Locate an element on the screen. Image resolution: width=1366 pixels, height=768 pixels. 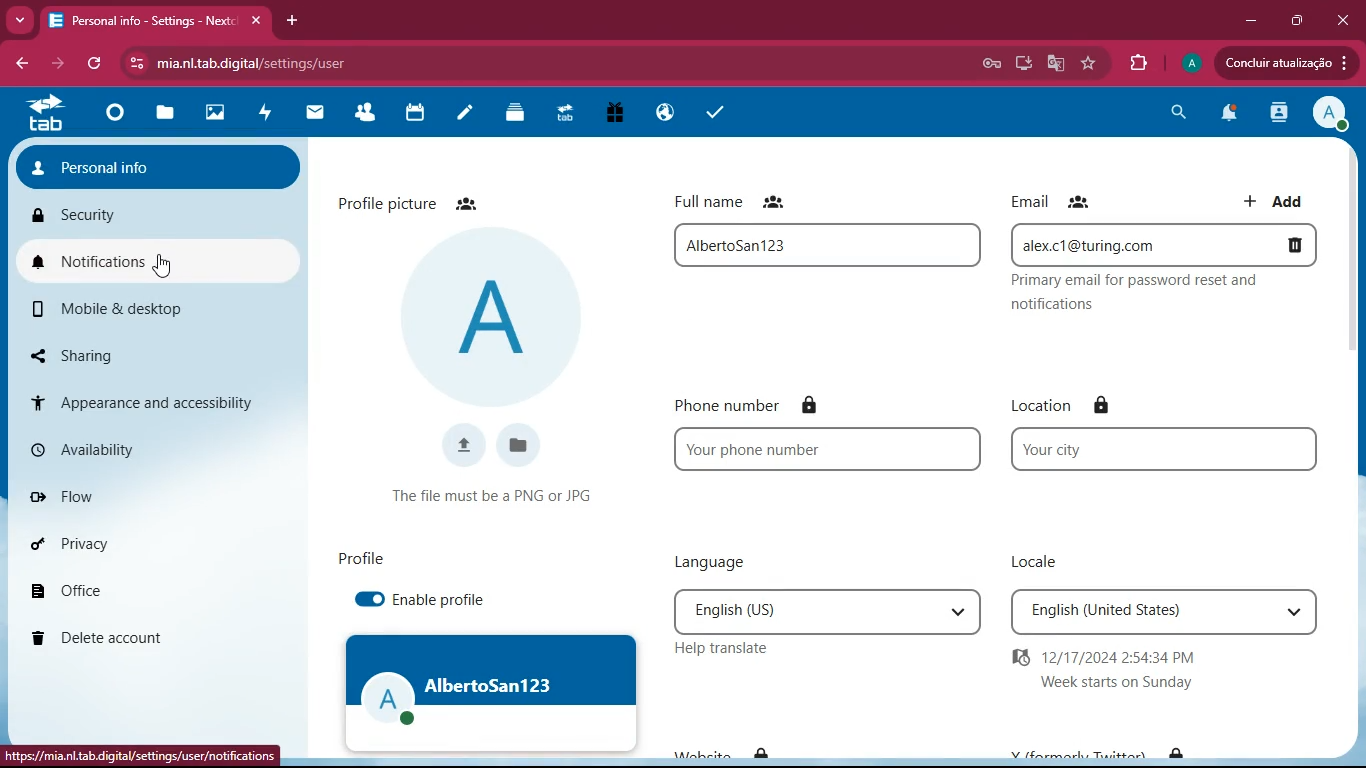
full nae is located at coordinates (825, 243).